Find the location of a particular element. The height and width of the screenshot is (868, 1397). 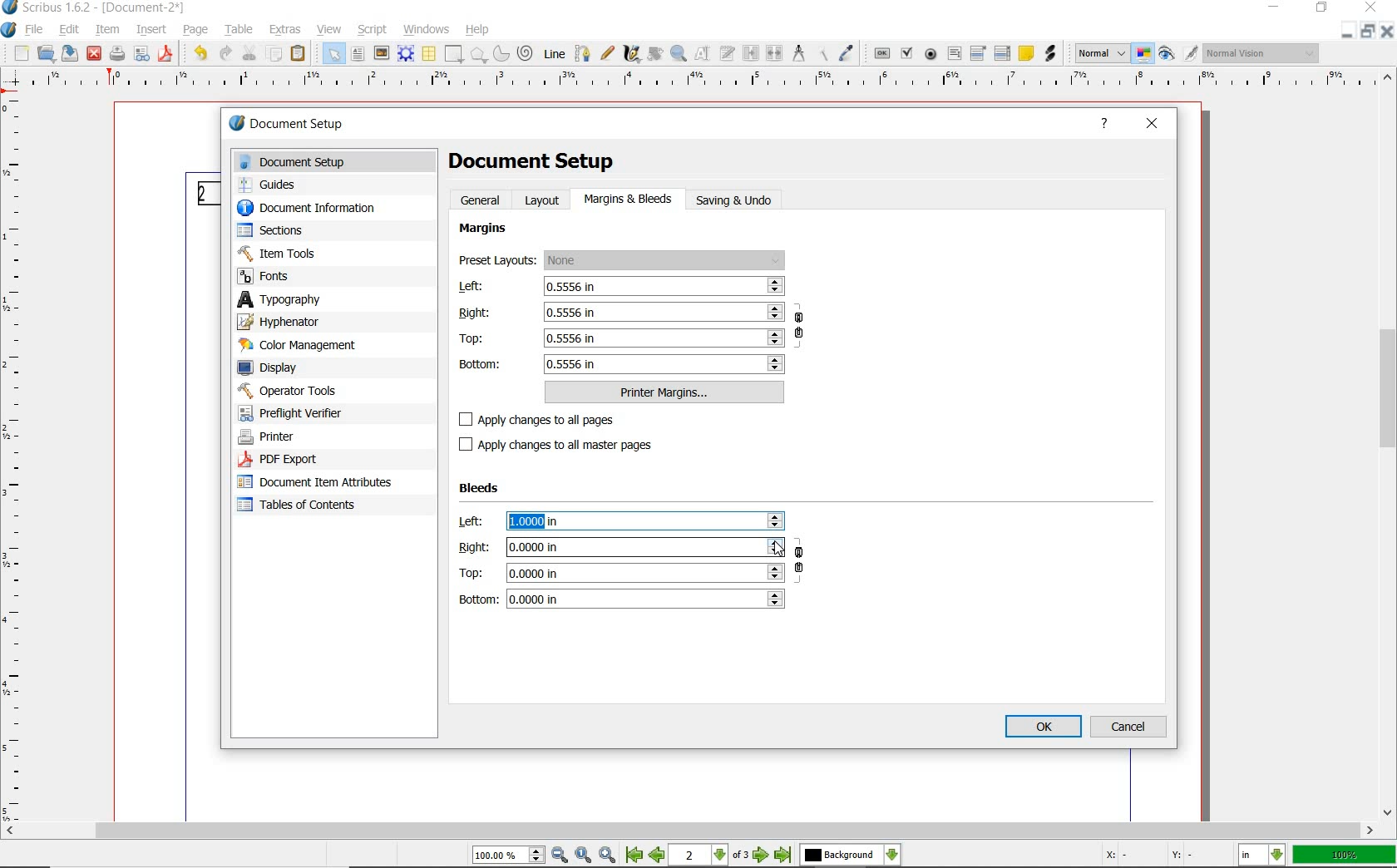

arc is located at coordinates (501, 55).